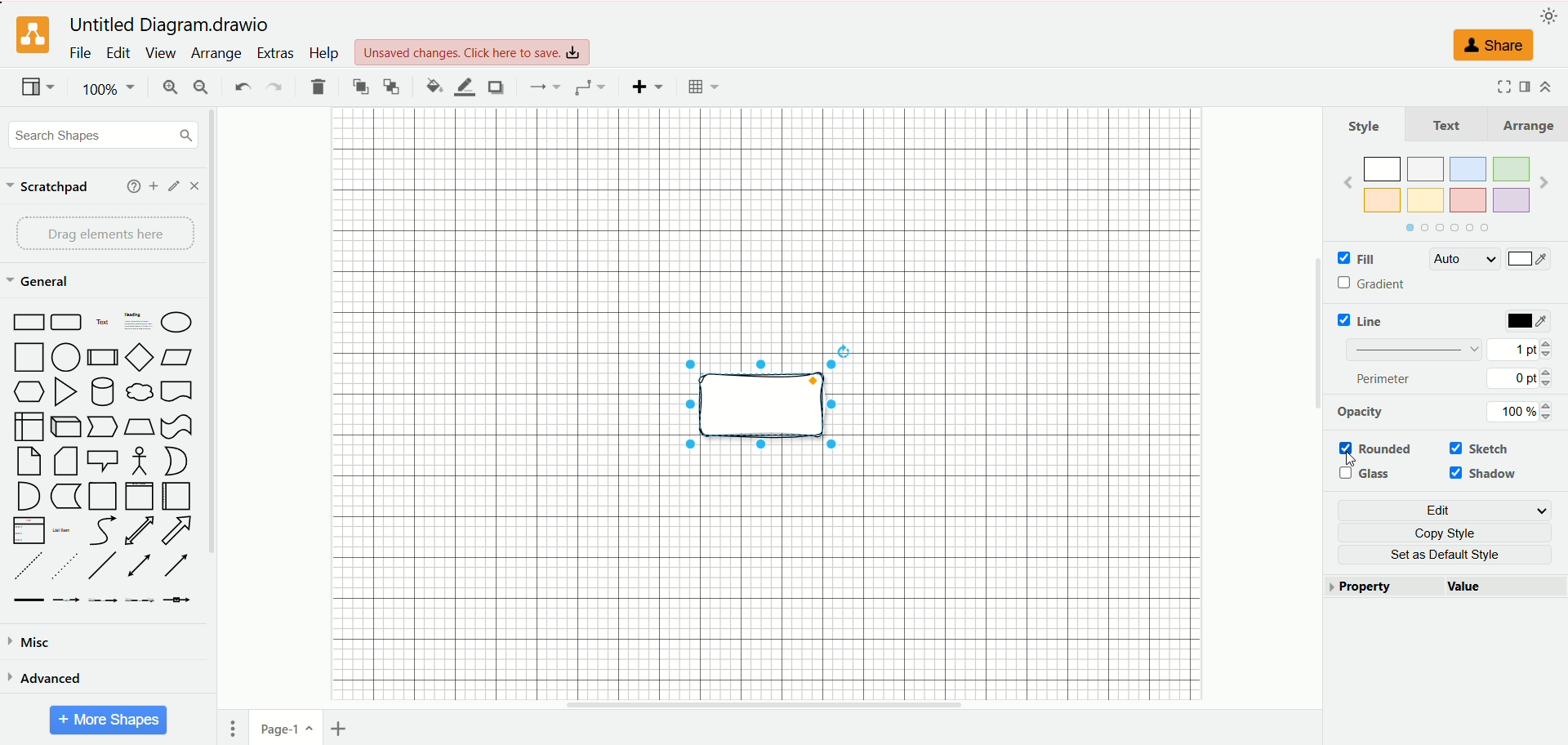 The image size is (1568, 745). I want to click on click here to save, so click(474, 52).